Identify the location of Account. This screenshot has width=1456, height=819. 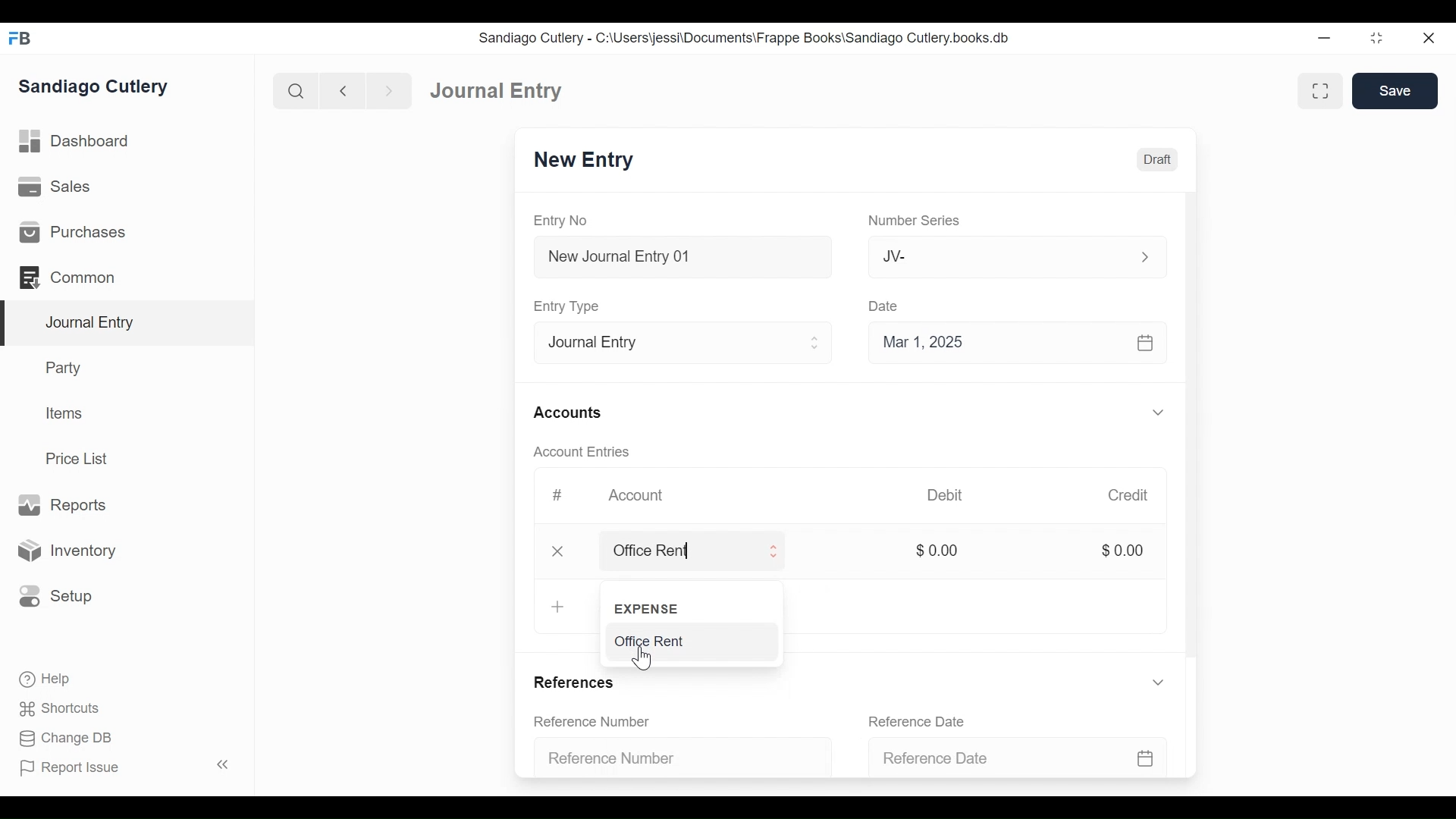
(635, 496).